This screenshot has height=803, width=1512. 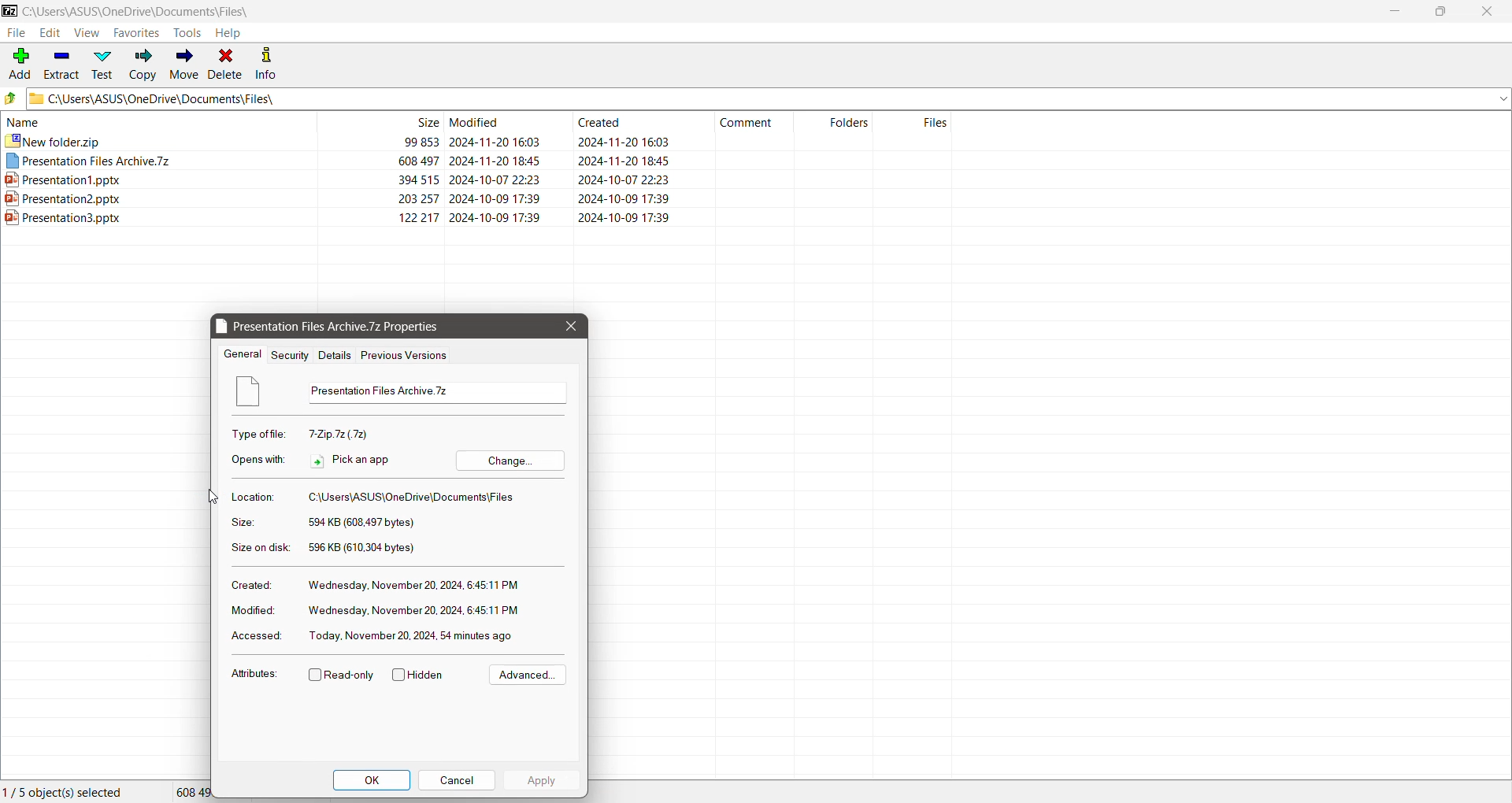 I want to click on Modified, so click(x=252, y=610).